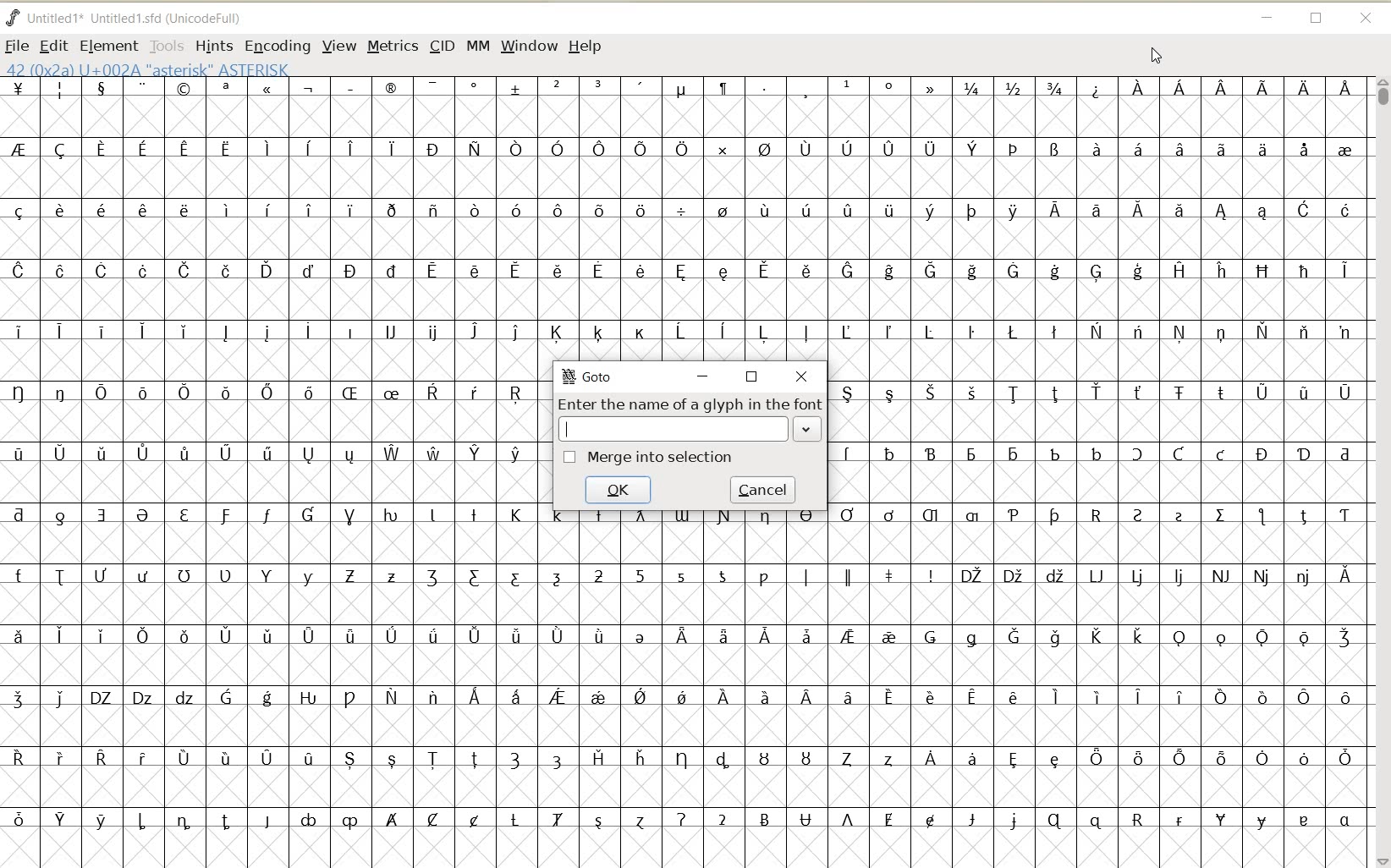  What do you see at coordinates (109, 46) in the screenshot?
I see `ELEMENT` at bounding box center [109, 46].